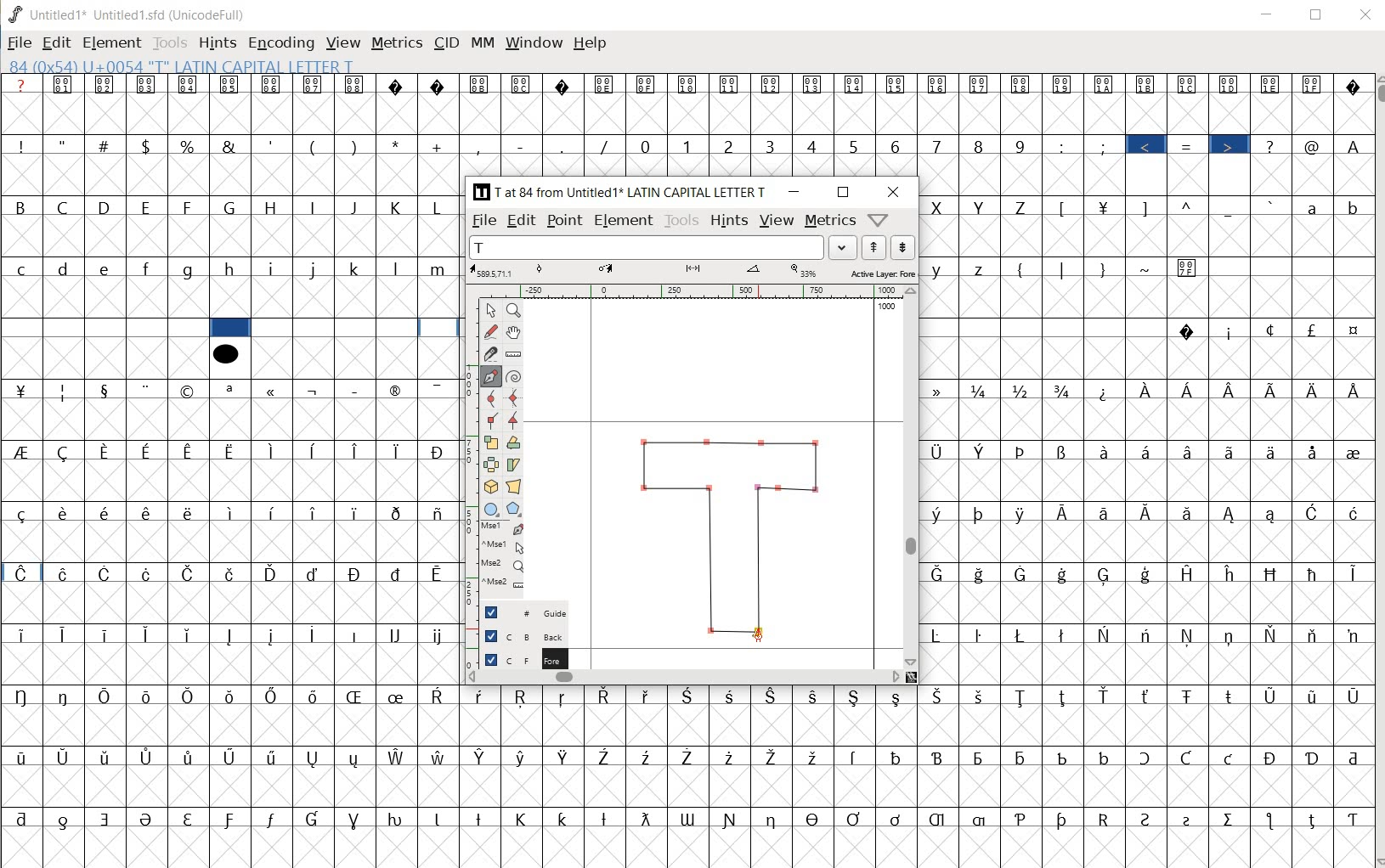 This screenshot has width=1385, height=868. What do you see at coordinates (439, 696) in the screenshot?
I see `Symbol` at bounding box center [439, 696].